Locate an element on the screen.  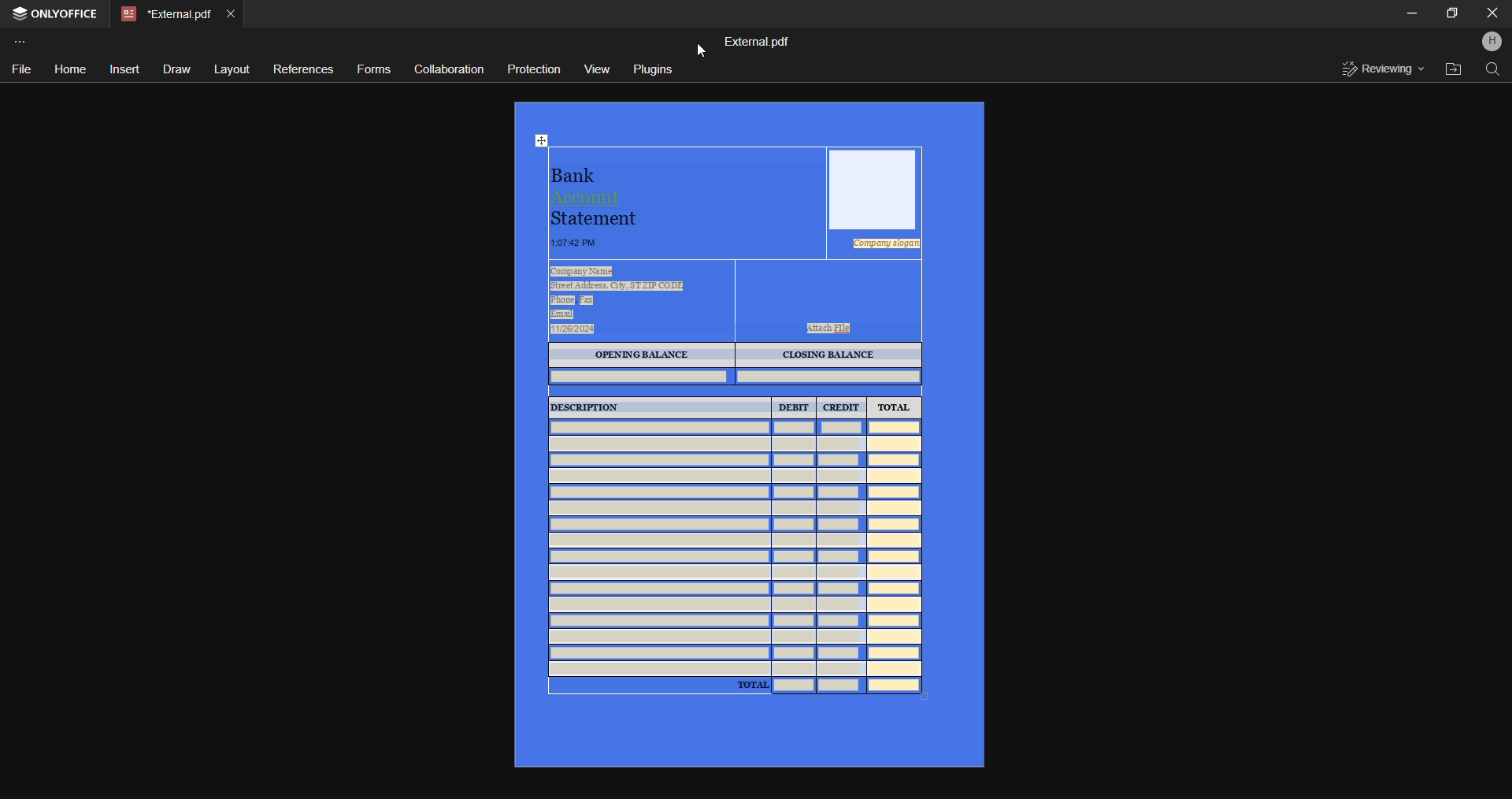
Draw is located at coordinates (175, 70).